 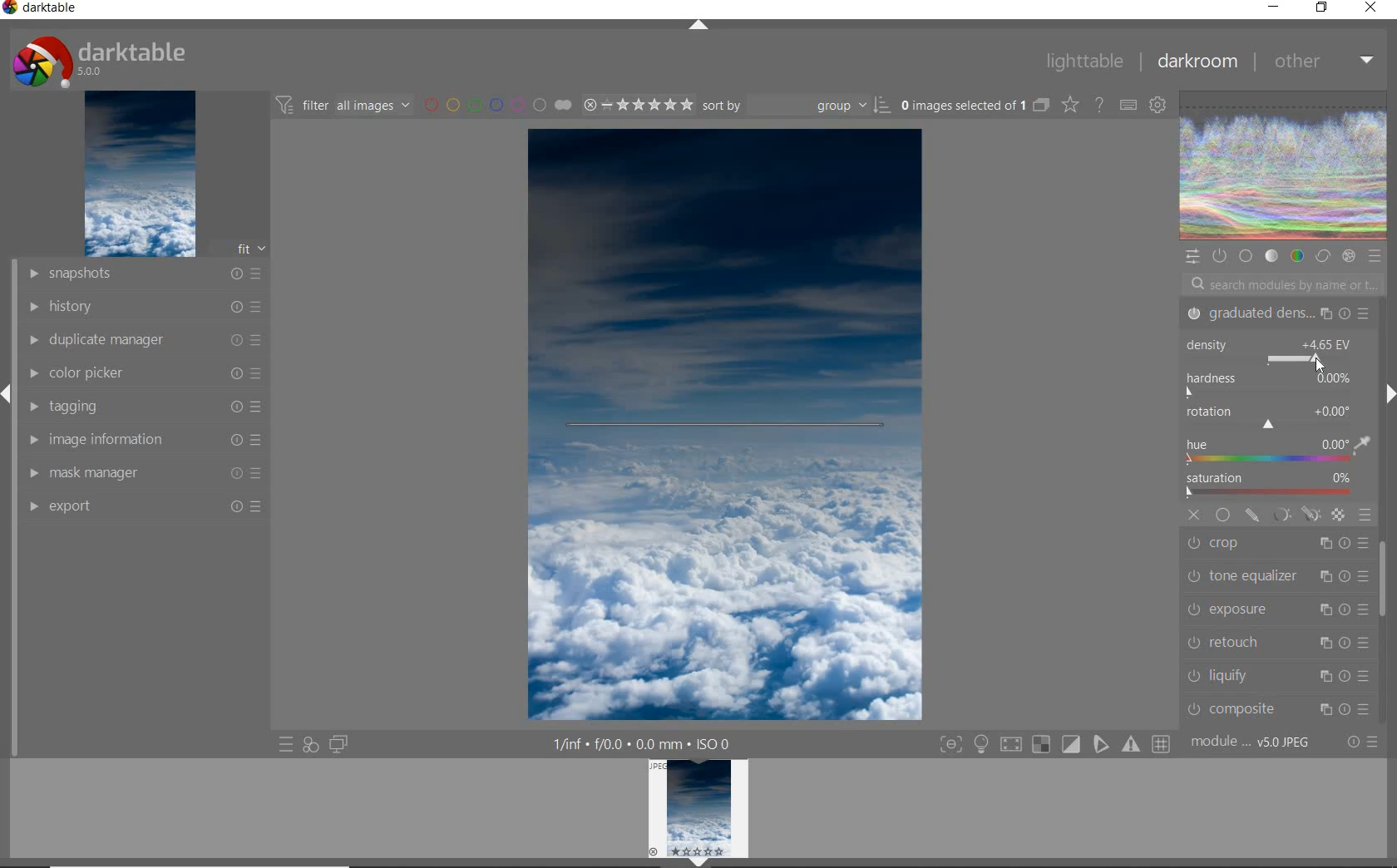 What do you see at coordinates (1220, 255) in the screenshot?
I see `SHOW ONLY ACTIVE MODULES` at bounding box center [1220, 255].